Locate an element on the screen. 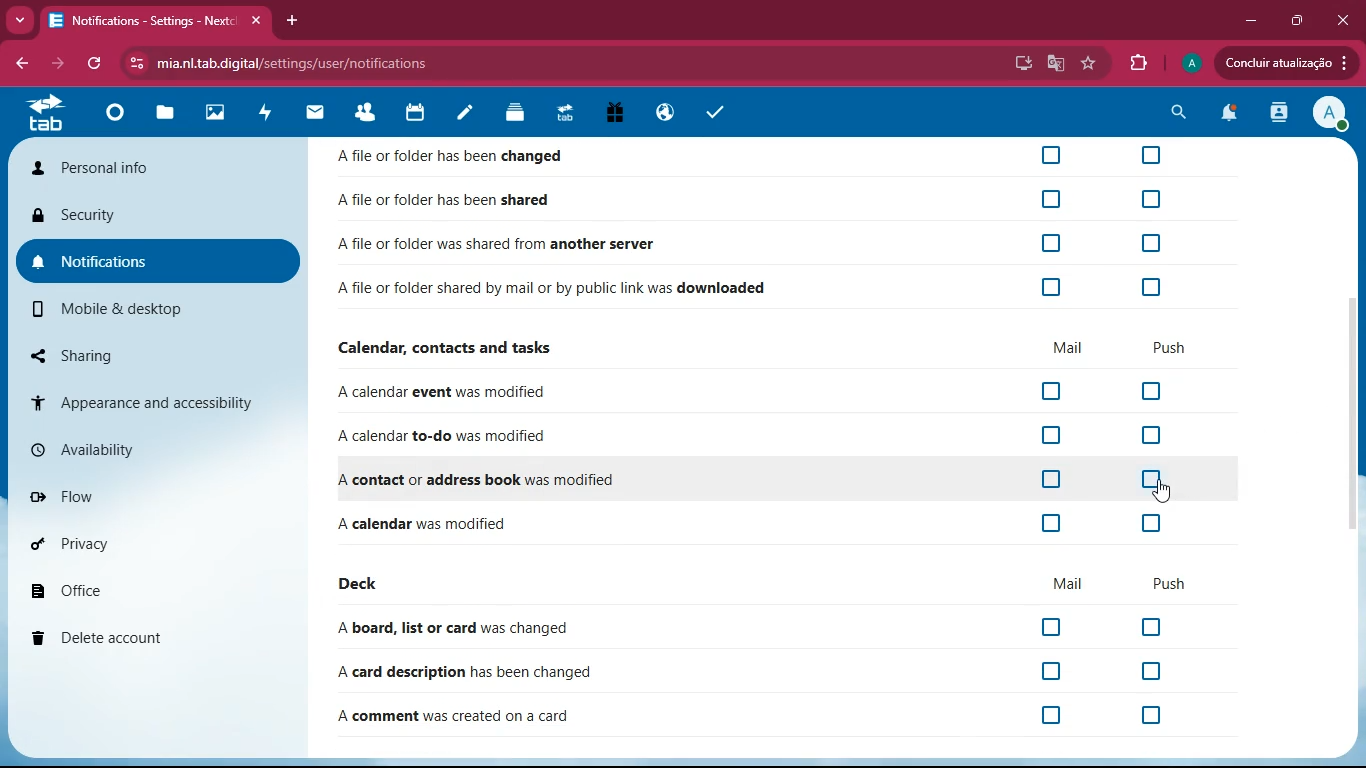  off is located at coordinates (1150, 523).